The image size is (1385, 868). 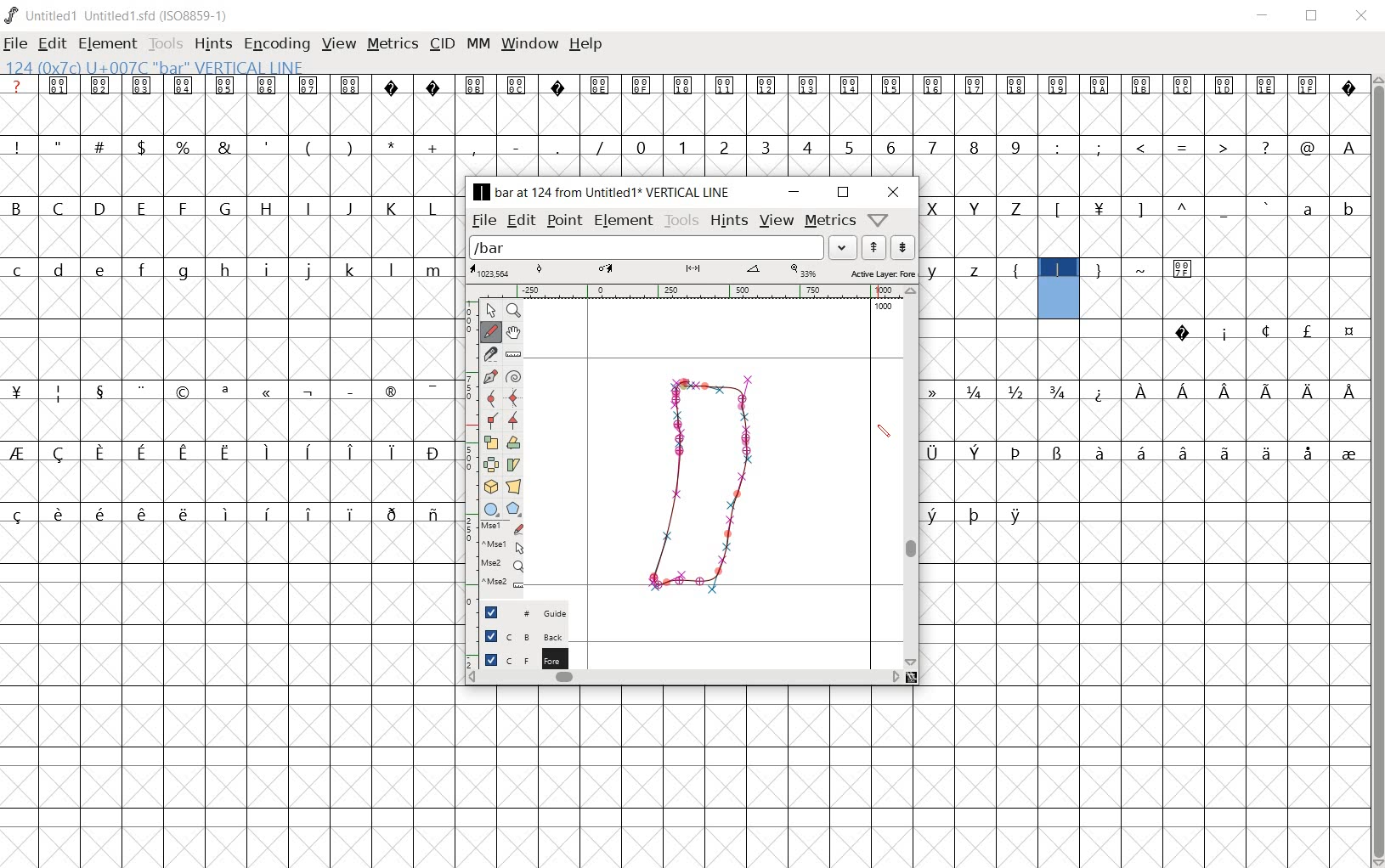 What do you see at coordinates (682, 290) in the screenshot?
I see `ruler` at bounding box center [682, 290].